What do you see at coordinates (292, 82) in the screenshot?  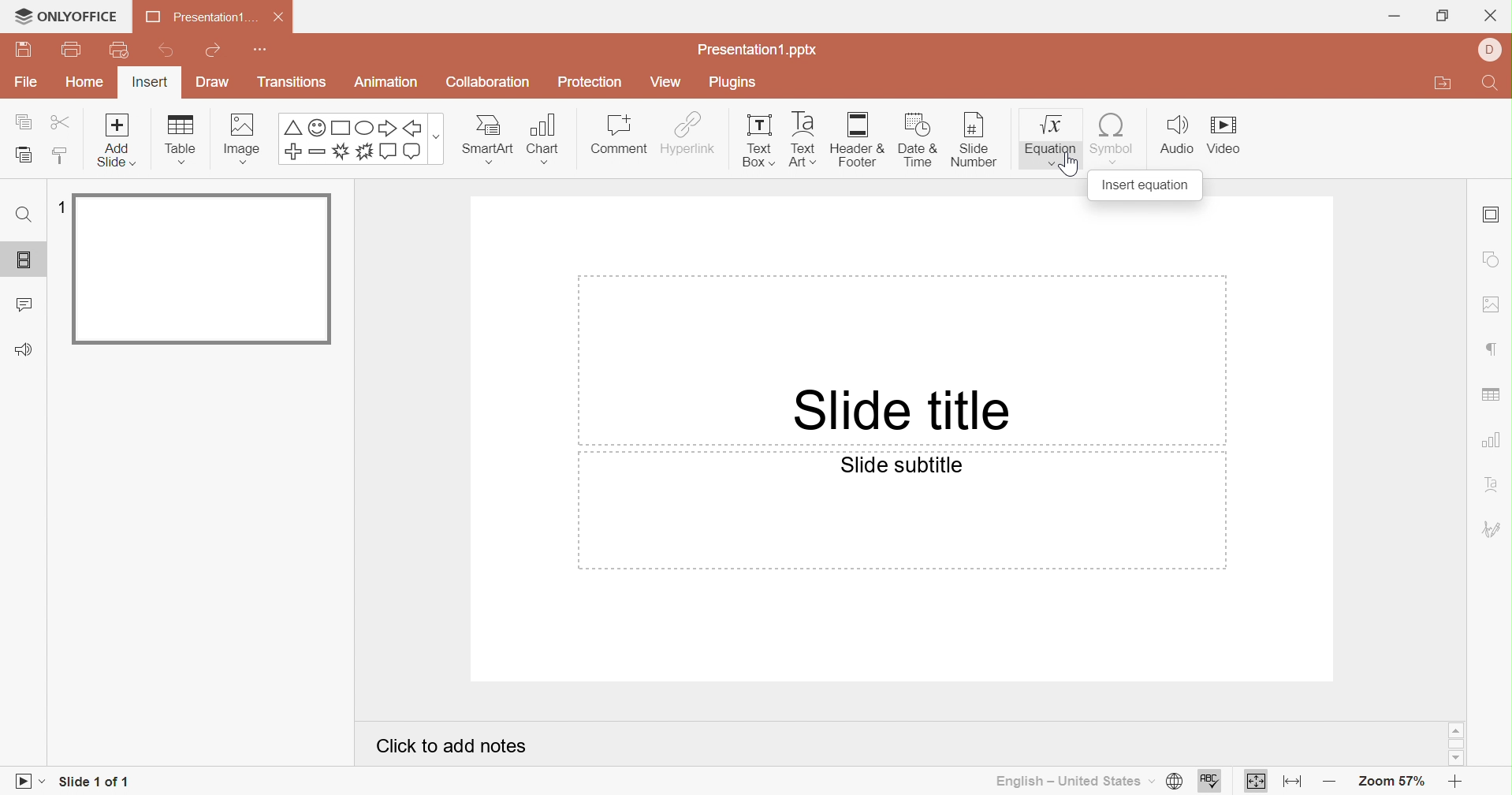 I see `Transitions` at bounding box center [292, 82].